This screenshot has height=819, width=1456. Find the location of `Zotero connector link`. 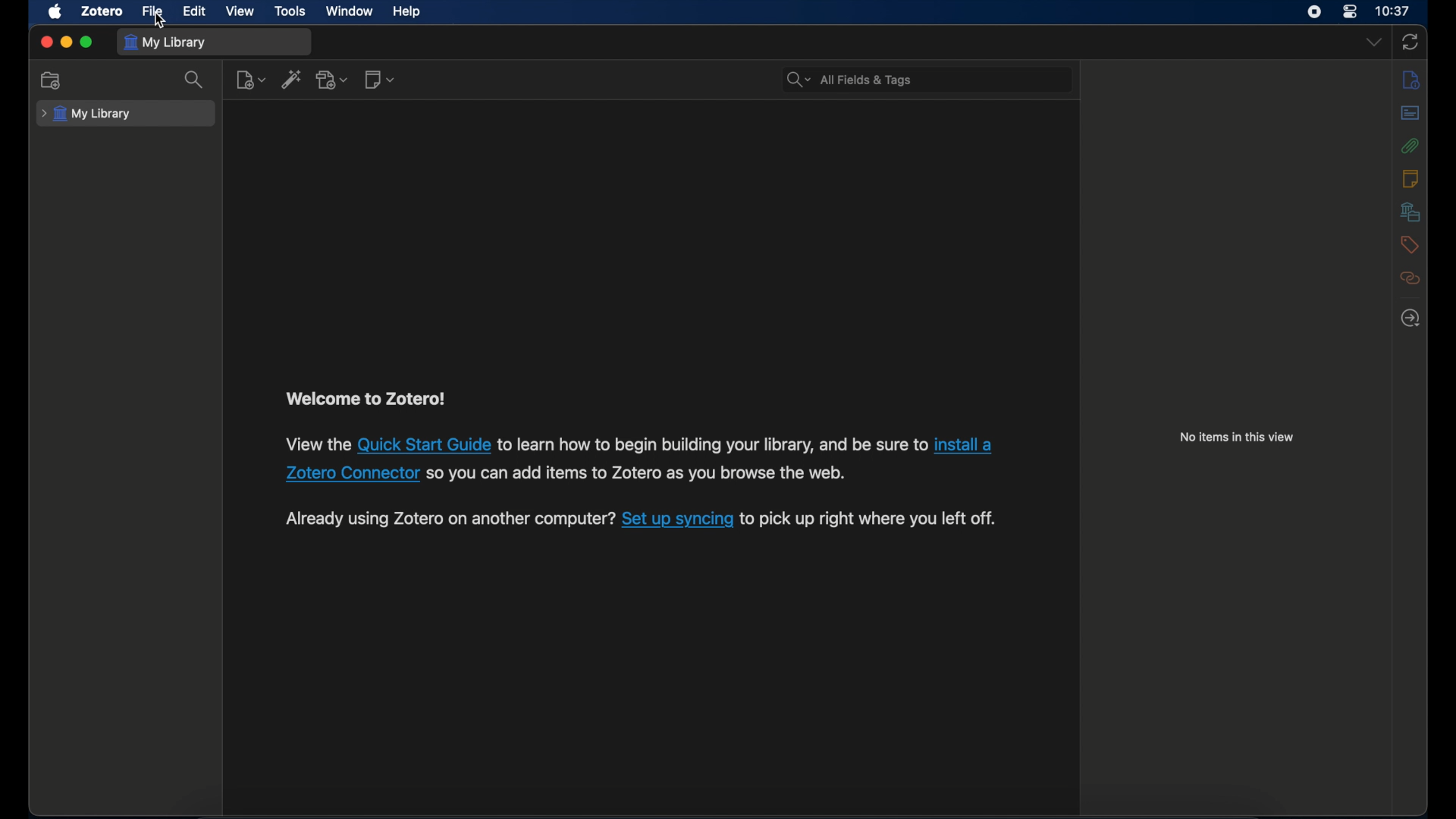

Zotero connector link is located at coordinates (963, 444).